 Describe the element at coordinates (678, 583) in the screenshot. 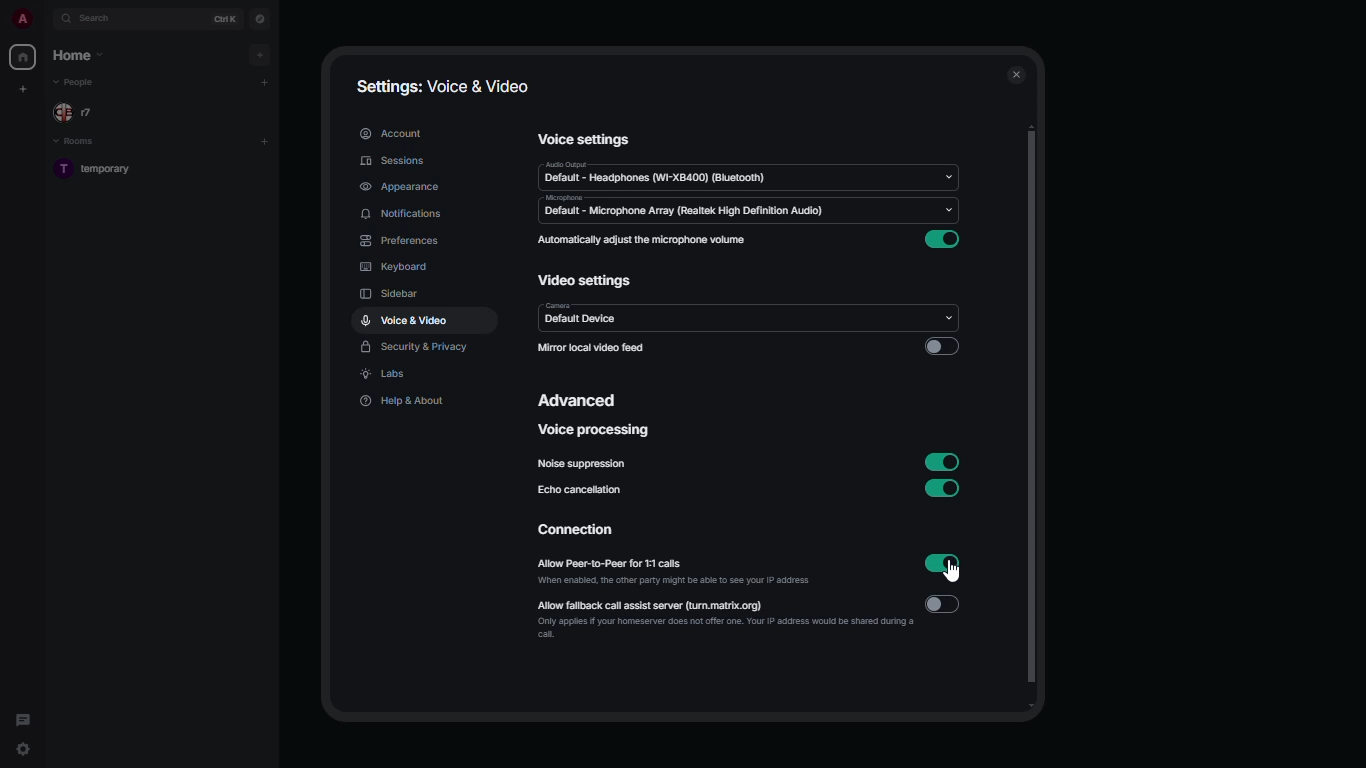

I see `‘When enabled, he Other party ANgIt be able 10 800 your IP address` at that location.